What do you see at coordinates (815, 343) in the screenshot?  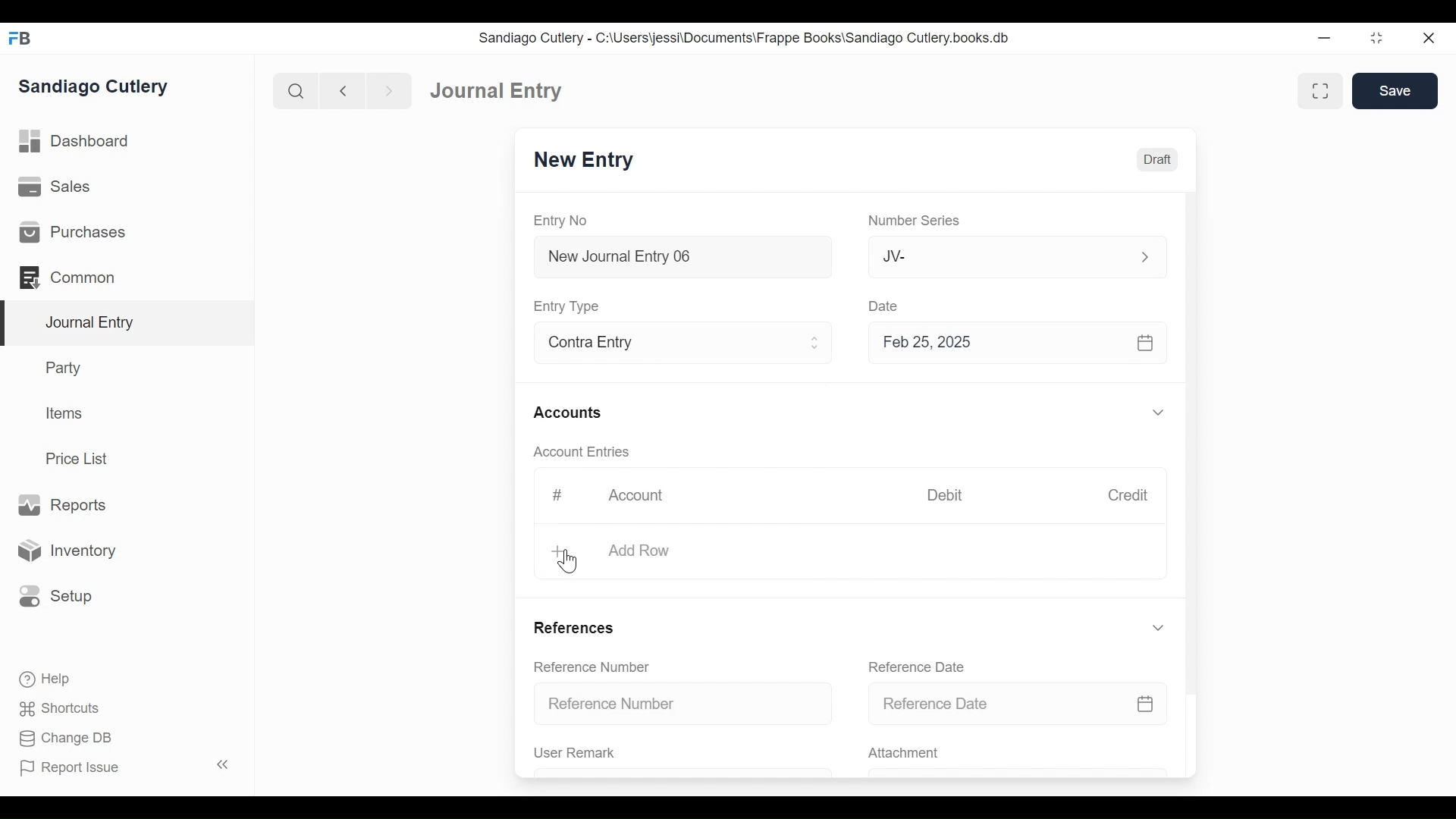 I see `Expand` at bounding box center [815, 343].